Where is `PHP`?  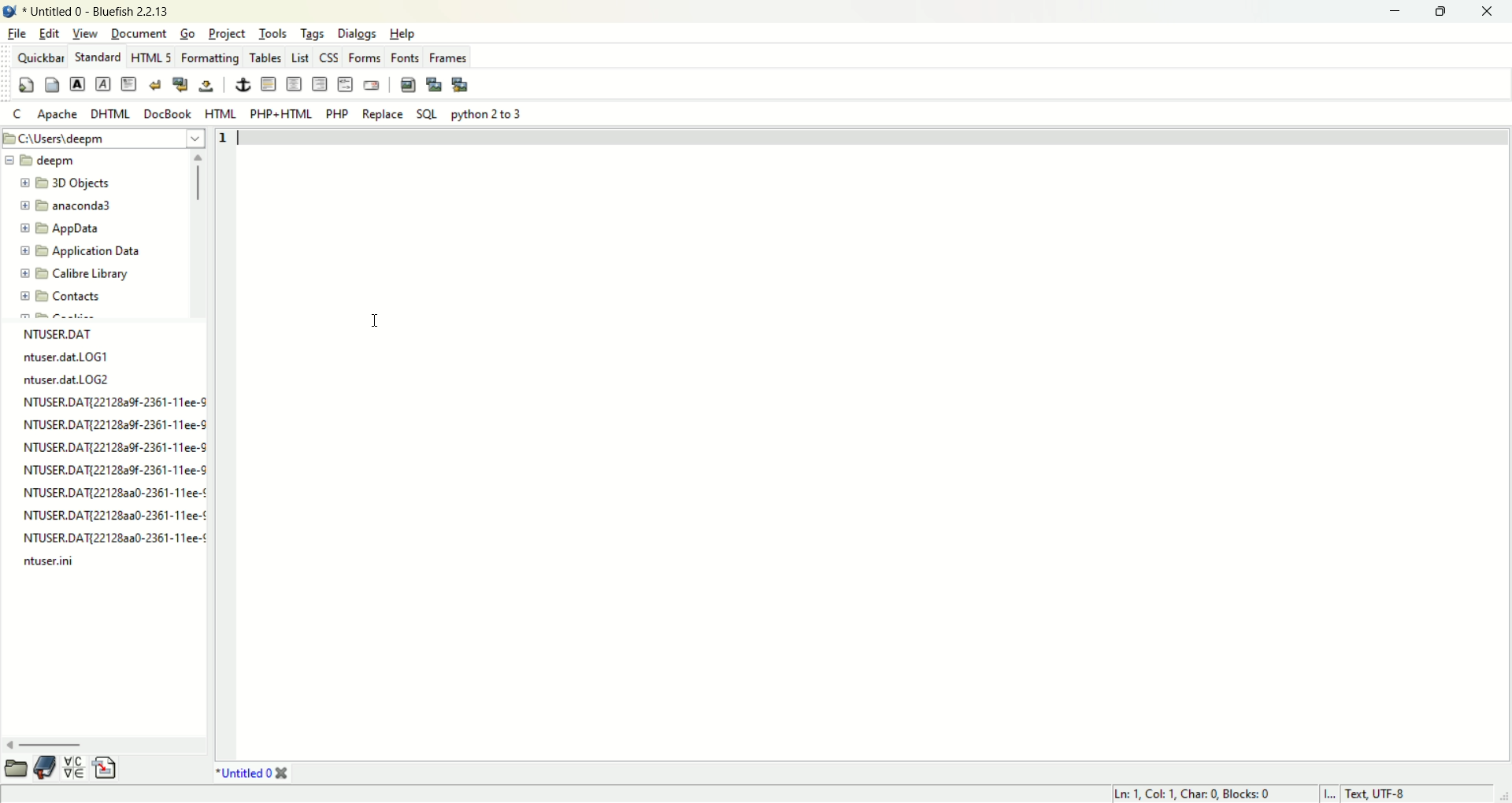
PHP is located at coordinates (338, 113).